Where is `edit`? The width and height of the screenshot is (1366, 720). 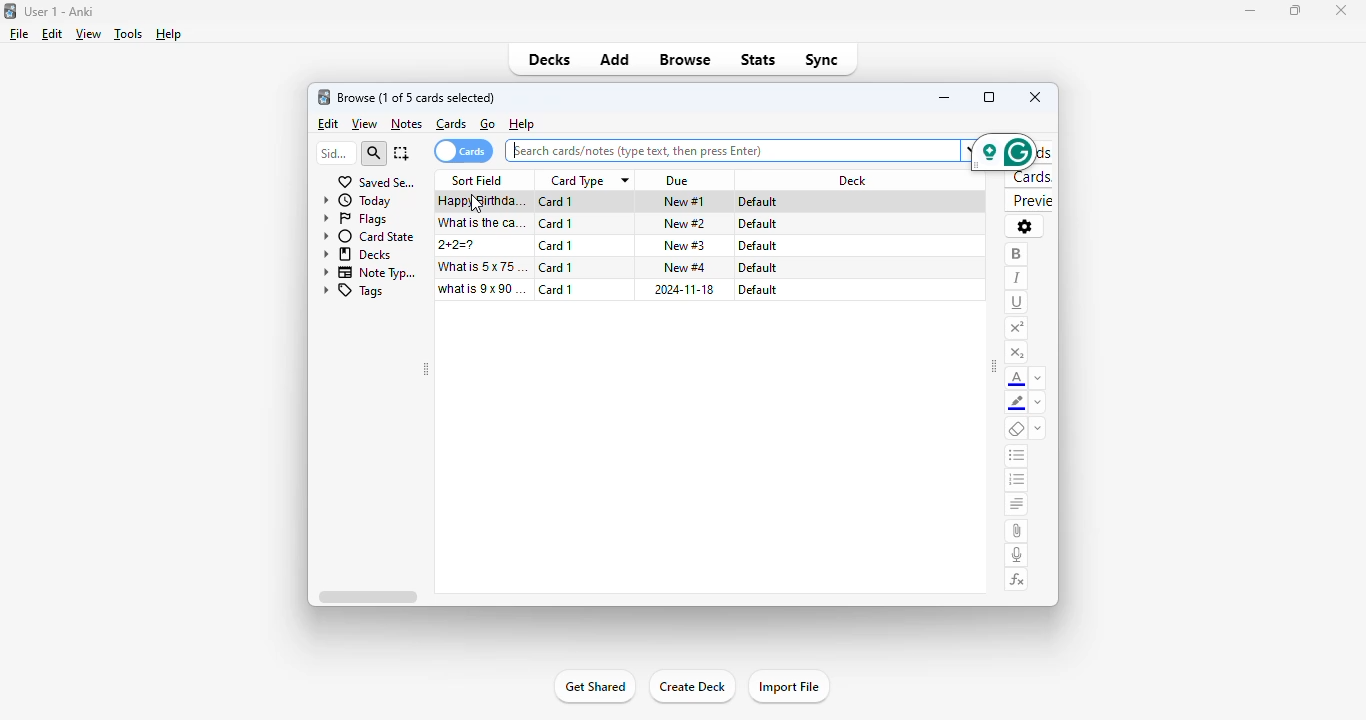
edit is located at coordinates (53, 34).